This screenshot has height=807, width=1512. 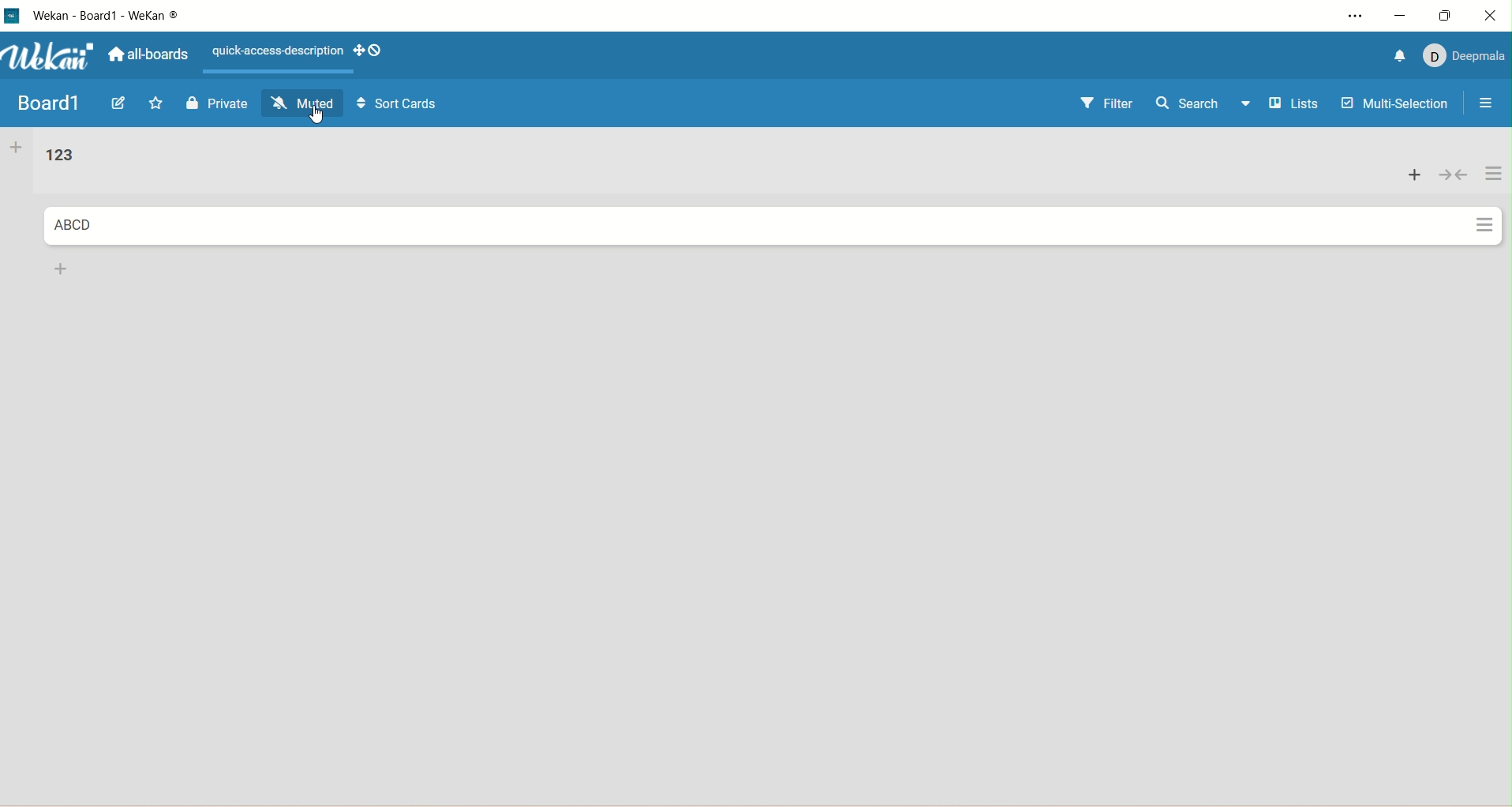 I want to click on add card, so click(x=58, y=268).